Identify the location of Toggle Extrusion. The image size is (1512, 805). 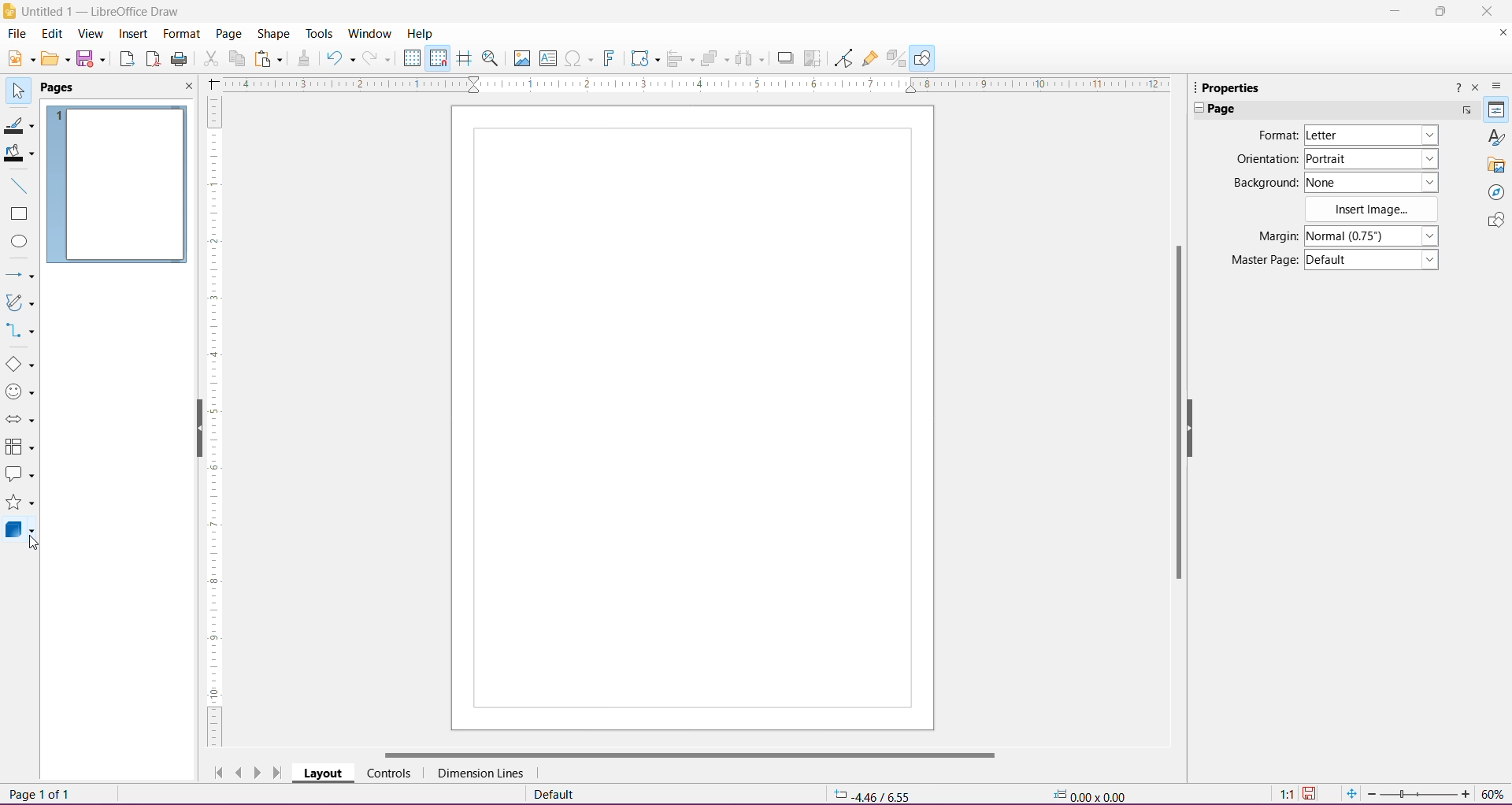
(897, 58).